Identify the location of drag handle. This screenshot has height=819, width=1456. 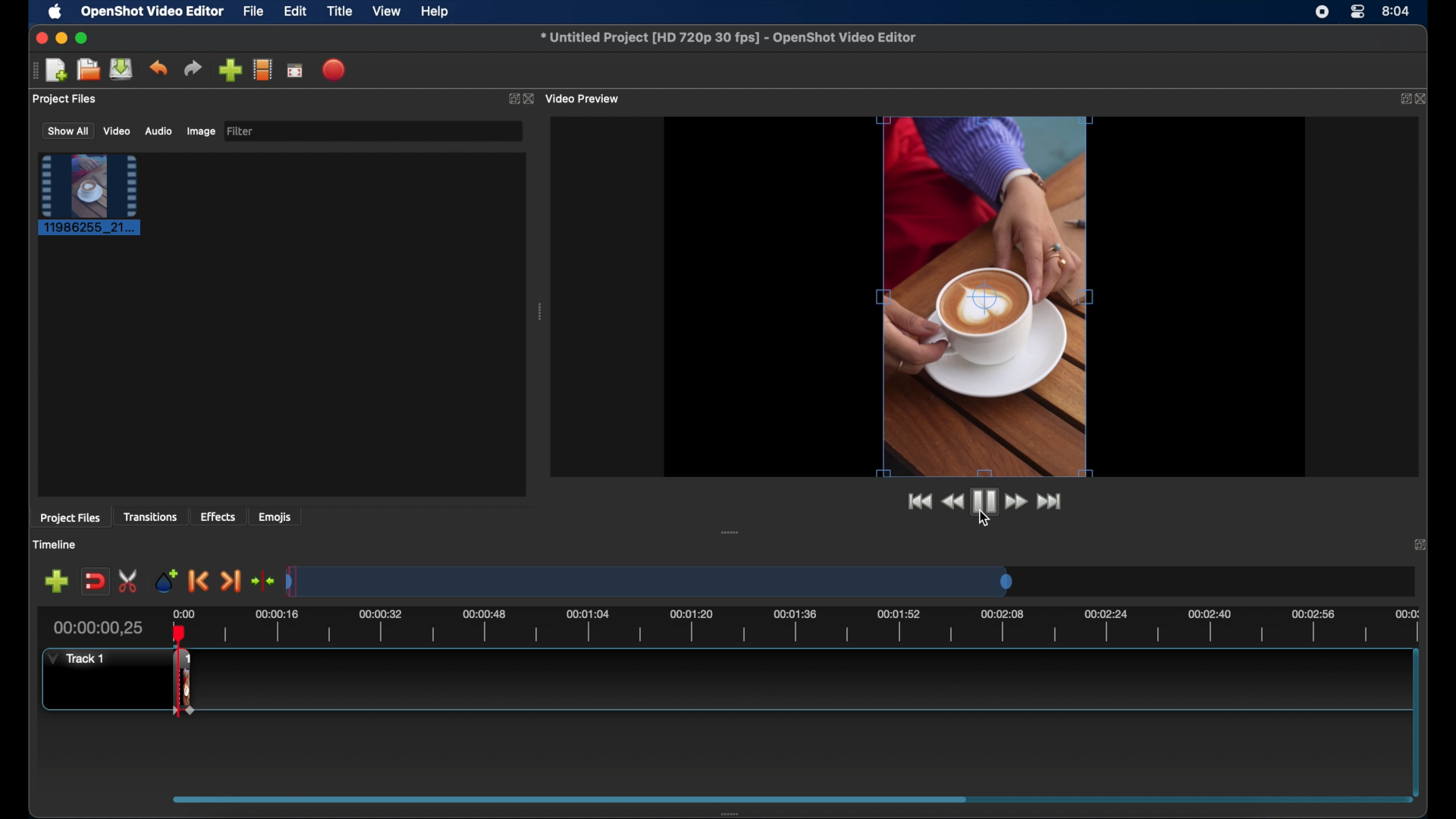
(731, 532).